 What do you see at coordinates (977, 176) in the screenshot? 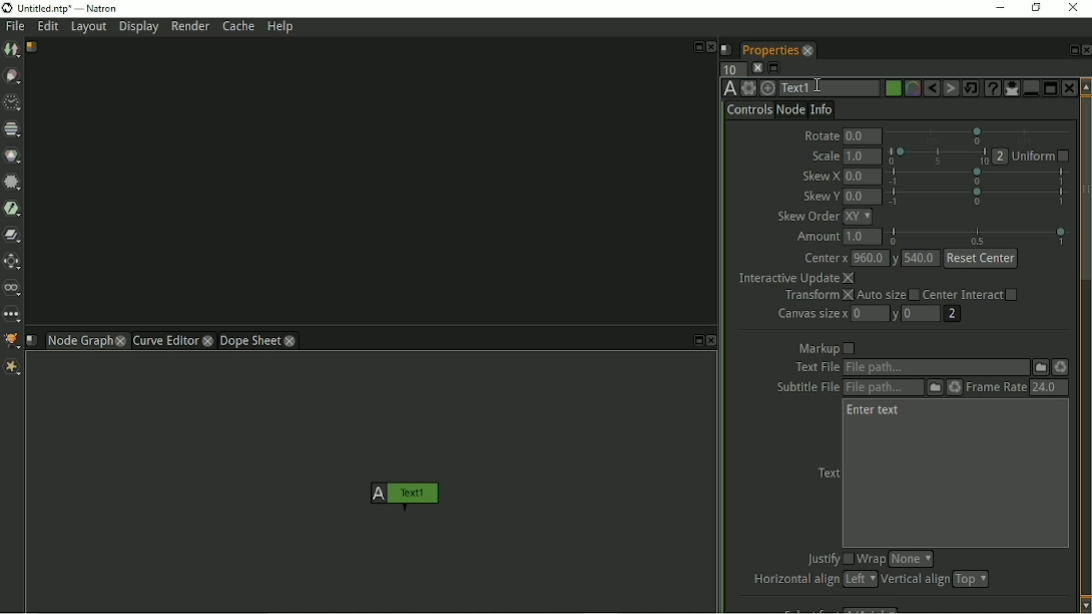
I see `selection bar` at bounding box center [977, 176].